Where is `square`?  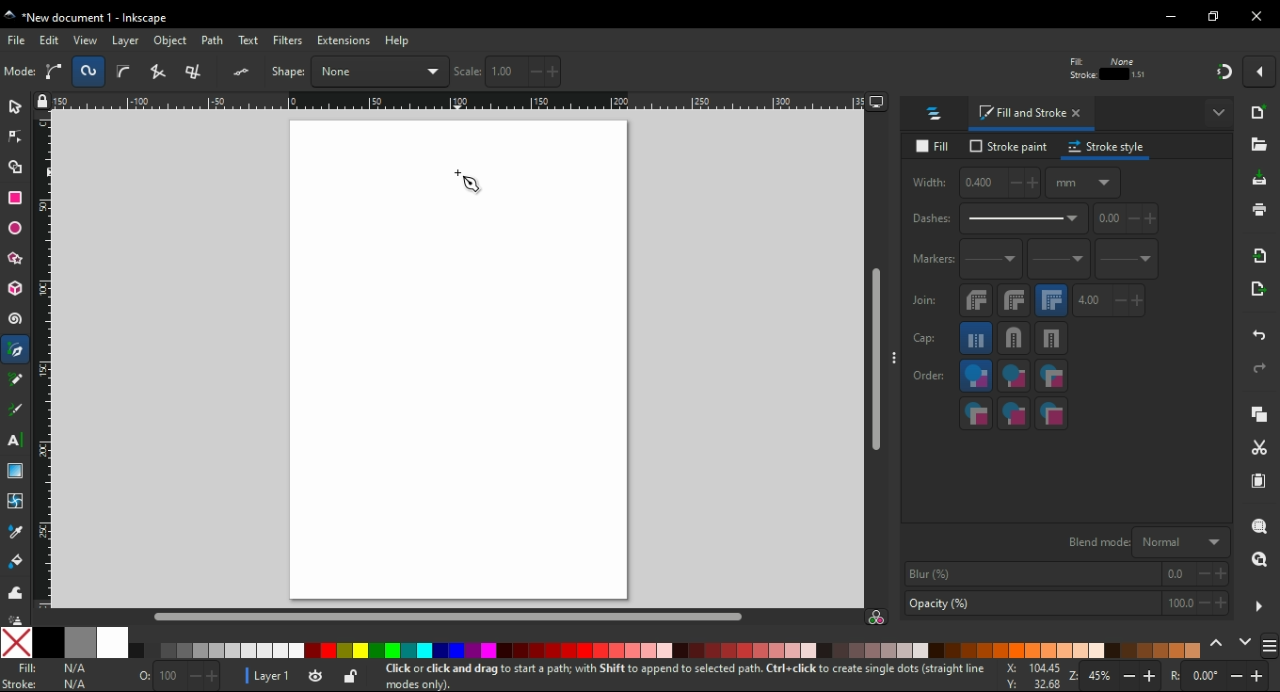 square is located at coordinates (1052, 338).